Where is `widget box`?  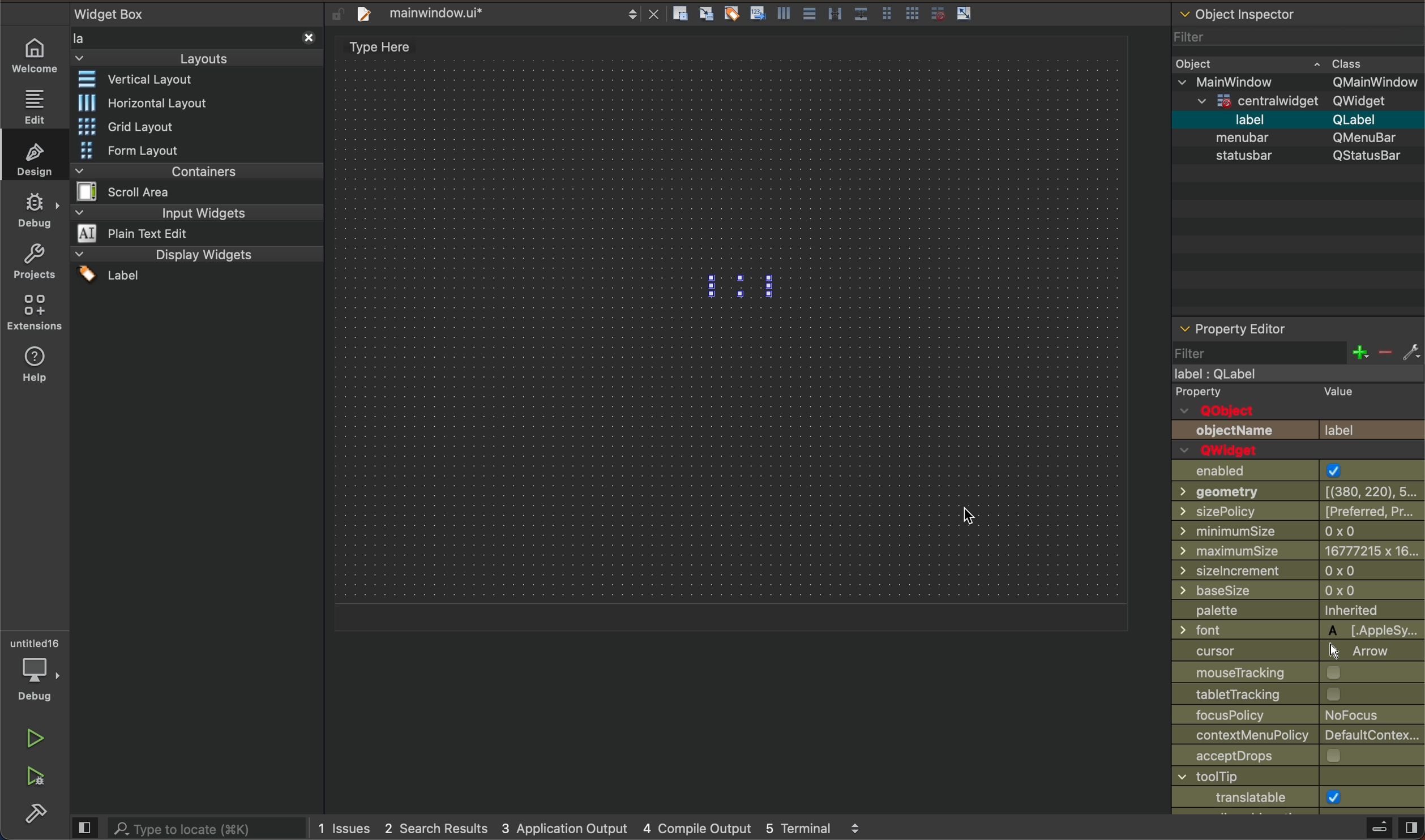
widget box is located at coordinates (194, 36).